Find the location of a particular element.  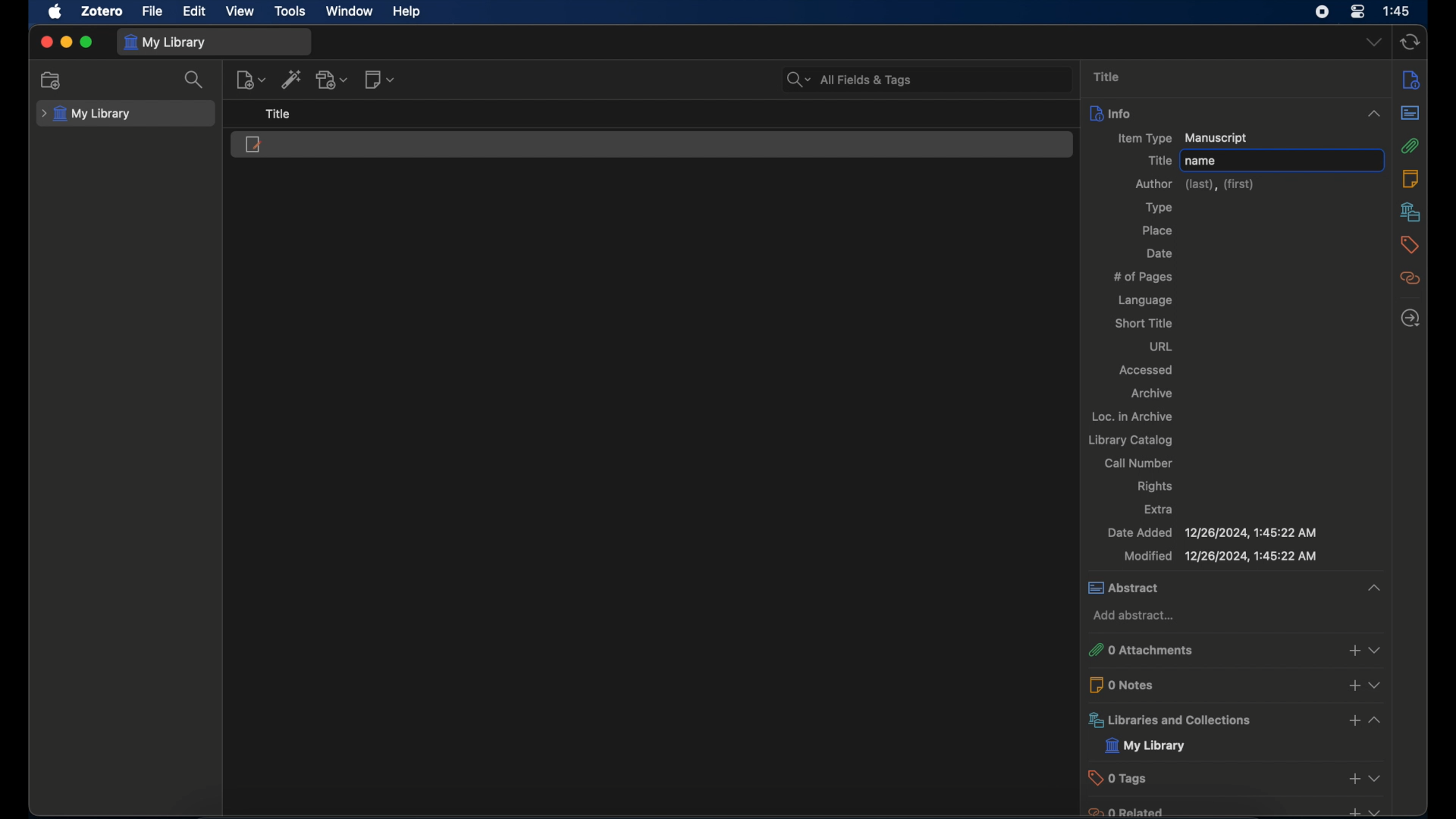

close is located at coordinates (45, 42).